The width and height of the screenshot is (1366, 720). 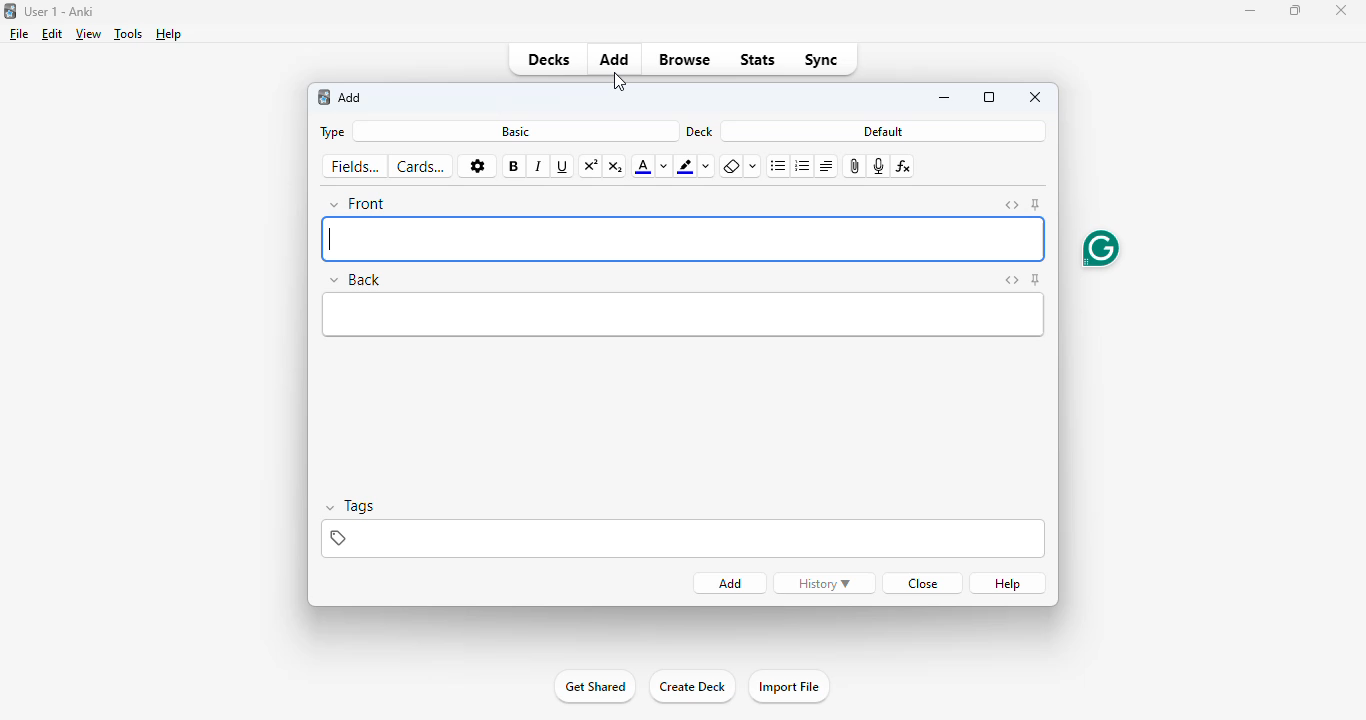 I want to click on browse, so click(x=686, y=59).